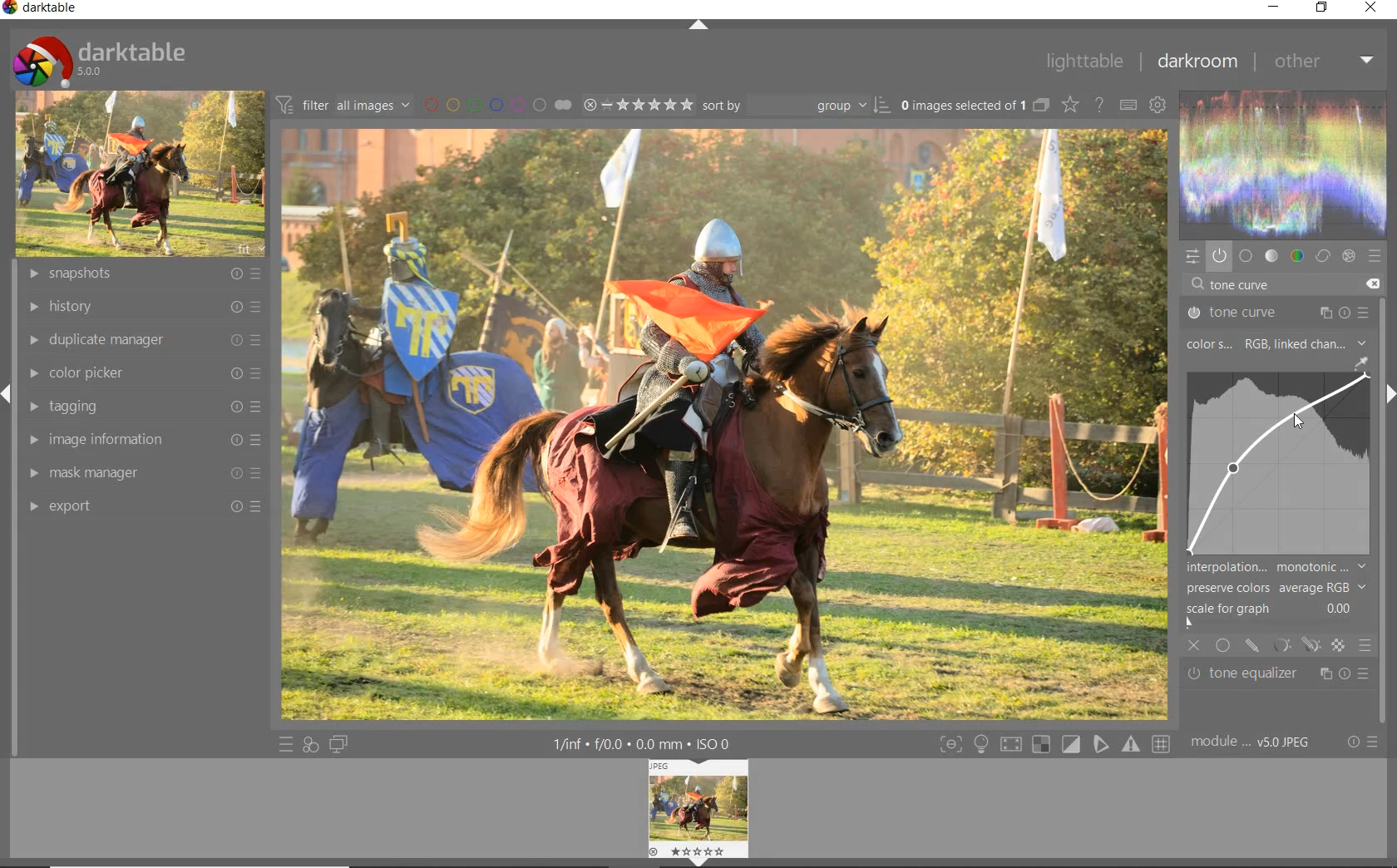  What do you see at coordinates (701, 810) in the screenshot?
I see `Image preview` at bounding box center [701, 810].